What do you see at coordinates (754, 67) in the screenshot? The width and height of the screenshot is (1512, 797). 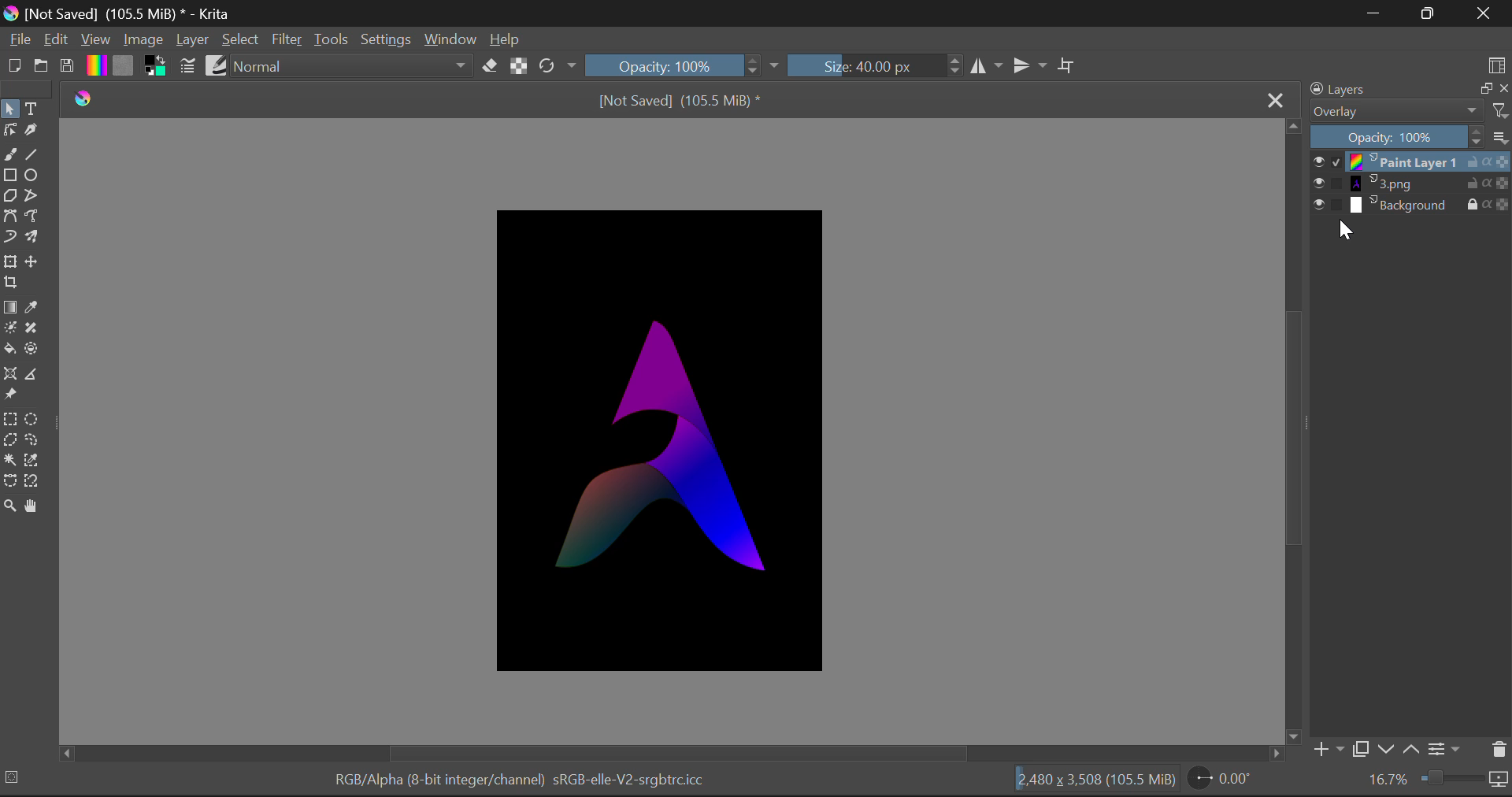 I see `Increase or decrease  opacity` at bounding box center [754, 67].